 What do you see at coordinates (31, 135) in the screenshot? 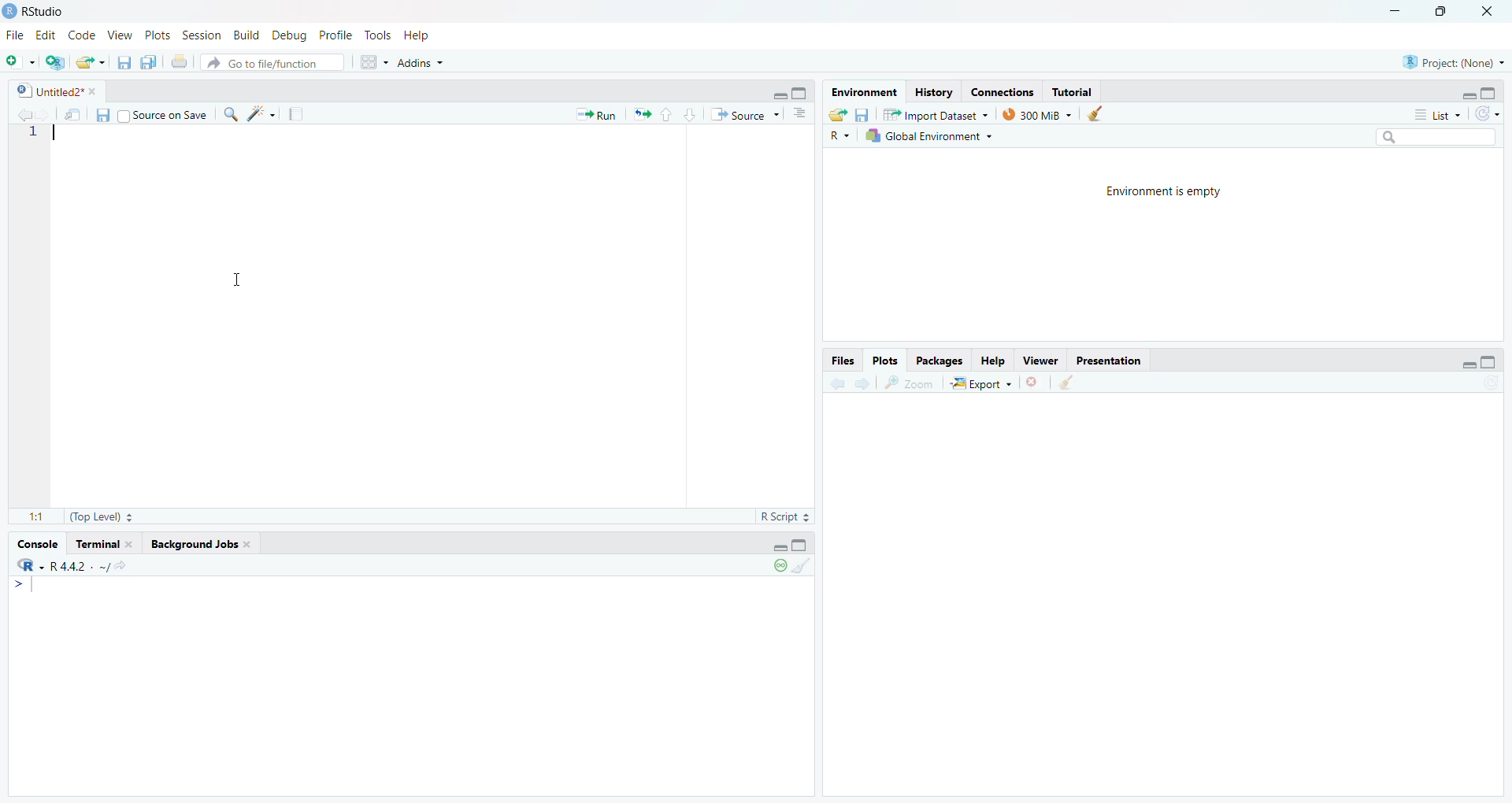
I see `1` at bounding box center [31, 135].